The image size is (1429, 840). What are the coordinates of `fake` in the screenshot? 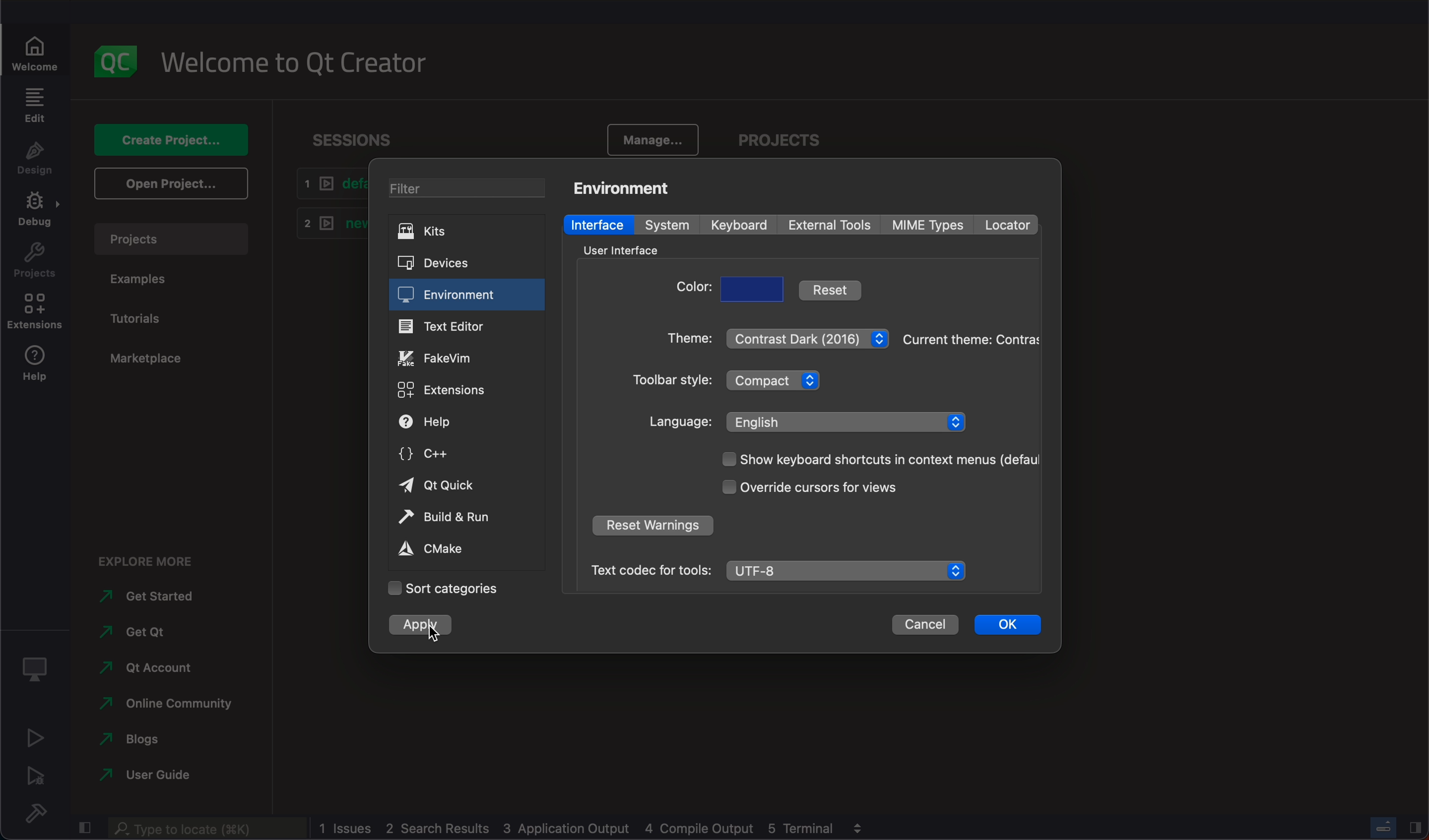 It's located at (466, 357).